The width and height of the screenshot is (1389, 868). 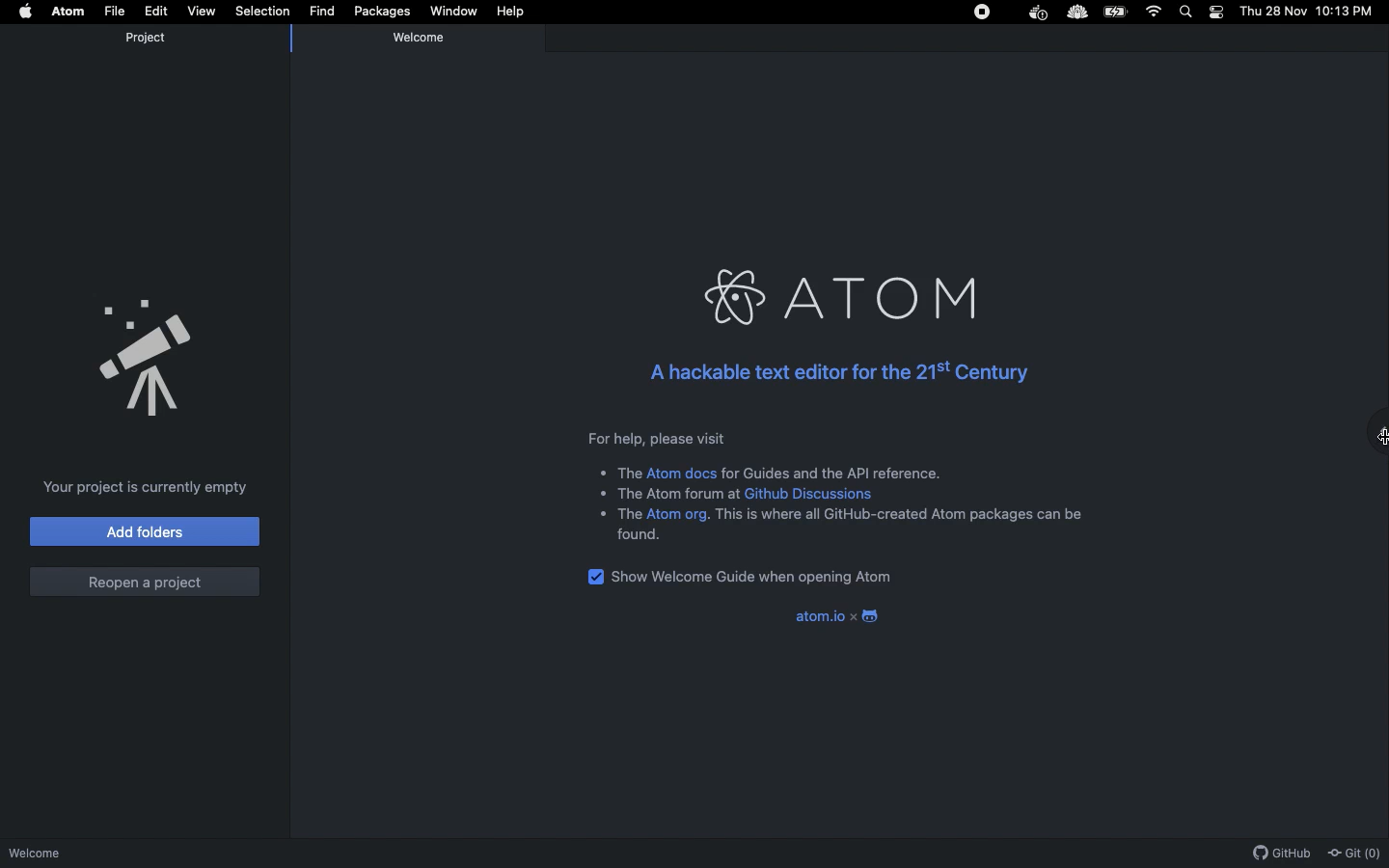 I want to click on Show welcome guide when opening Atom, so click(x=757, y=577).